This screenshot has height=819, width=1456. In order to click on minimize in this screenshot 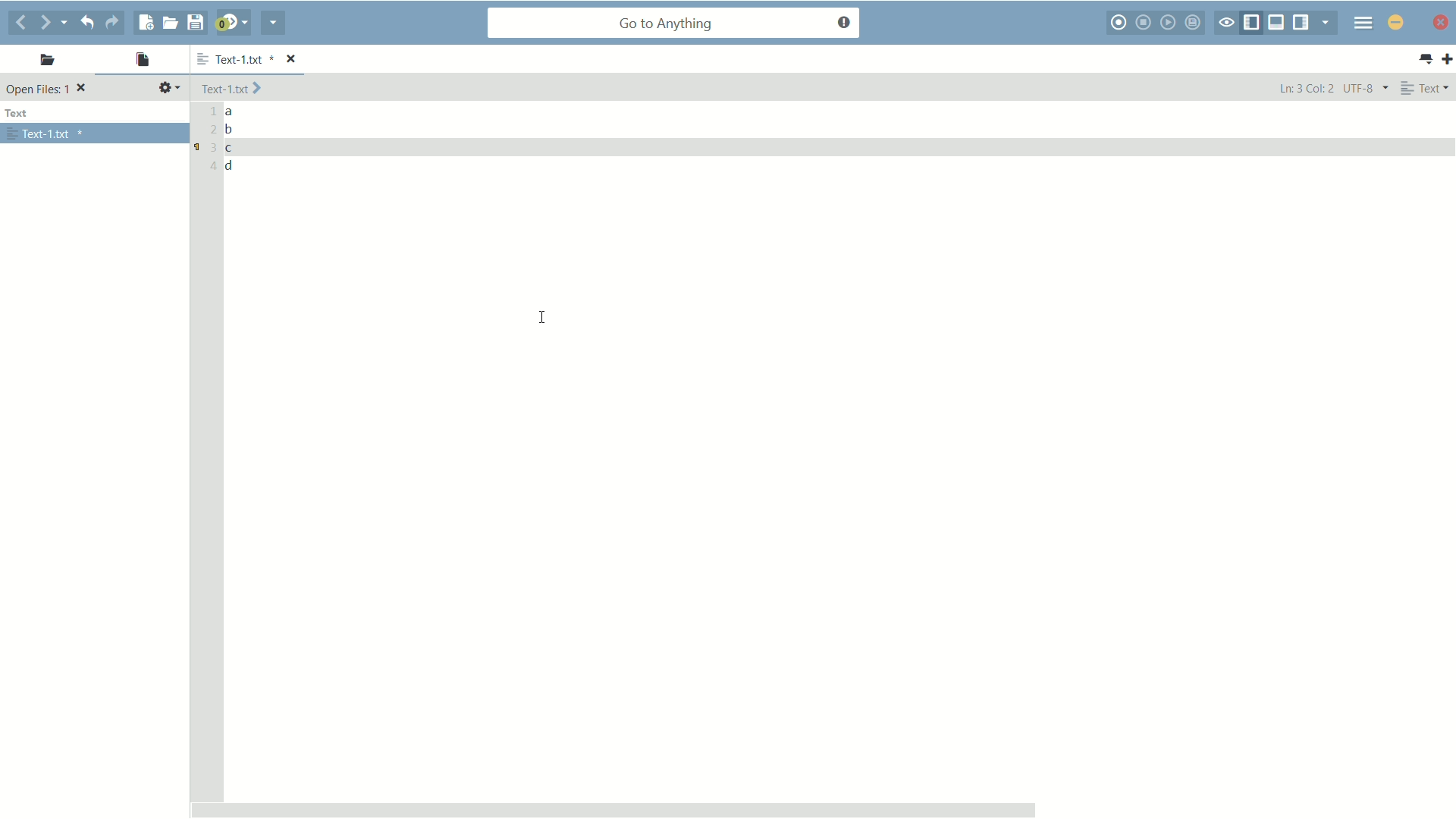, I will do `click(1441, 24)`.